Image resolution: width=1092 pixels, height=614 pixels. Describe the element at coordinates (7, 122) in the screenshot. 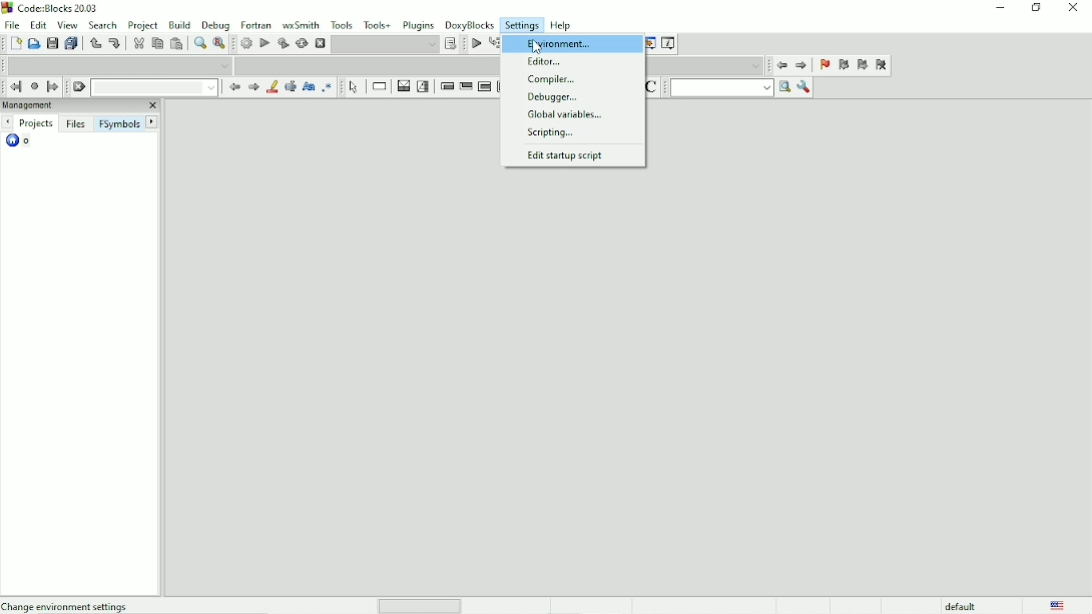

I see `Prev` at that location.